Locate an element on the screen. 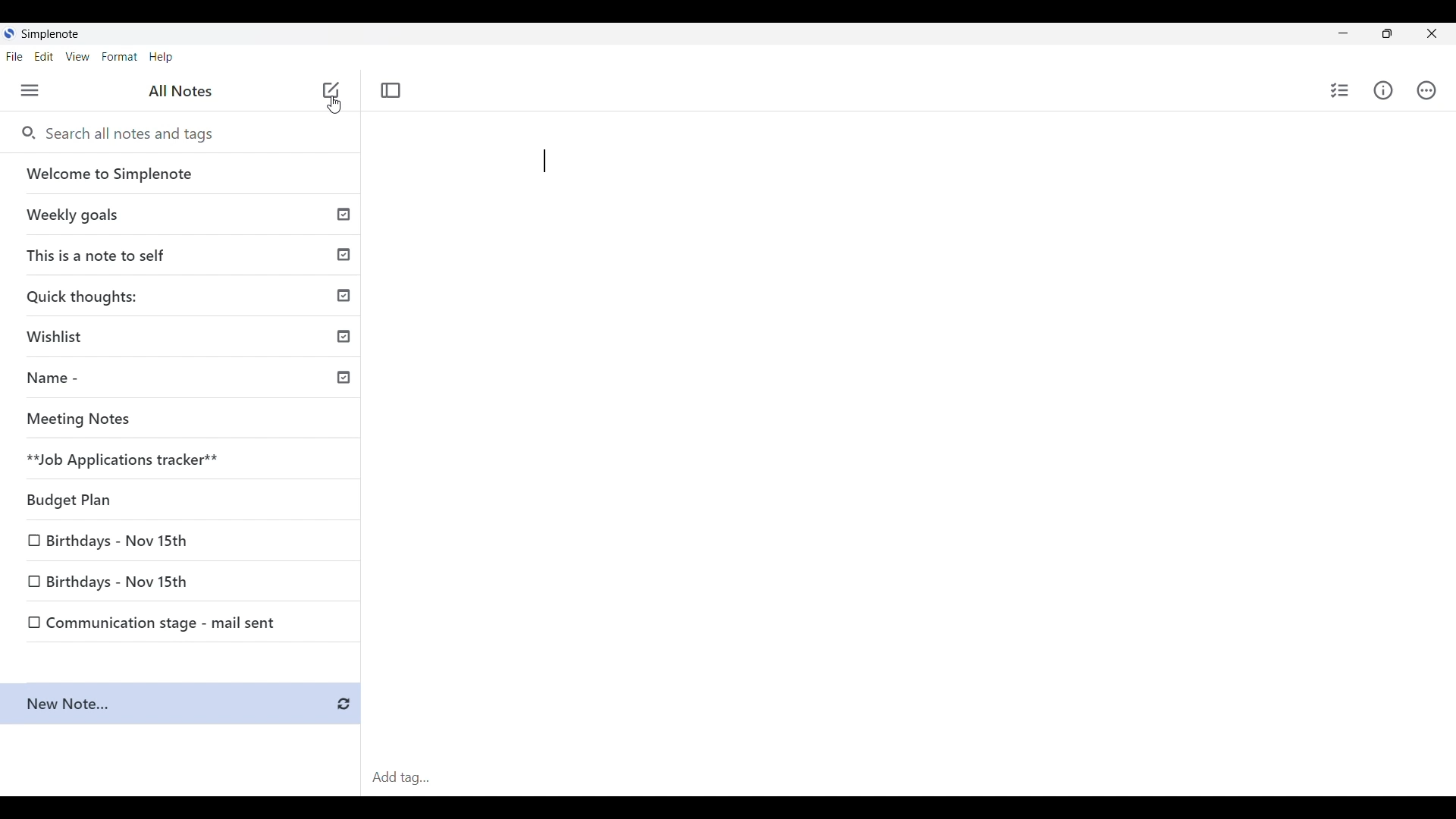 The width and height of the screenshot is (1456, 819). Close is located at coordinates (1431, 33).